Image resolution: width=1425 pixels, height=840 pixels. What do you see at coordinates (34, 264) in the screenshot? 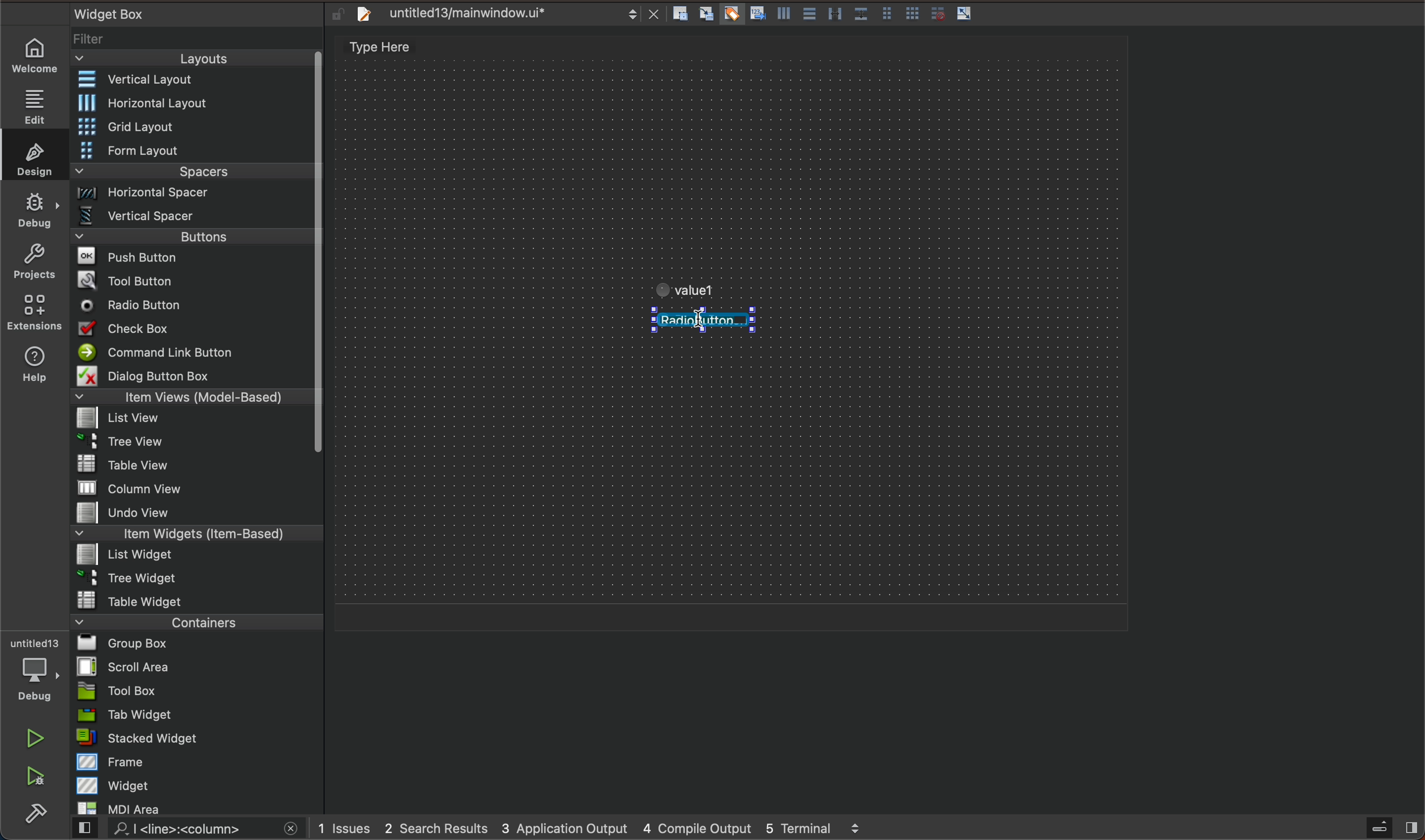
I see `projects` at bounding box center [34, 264].